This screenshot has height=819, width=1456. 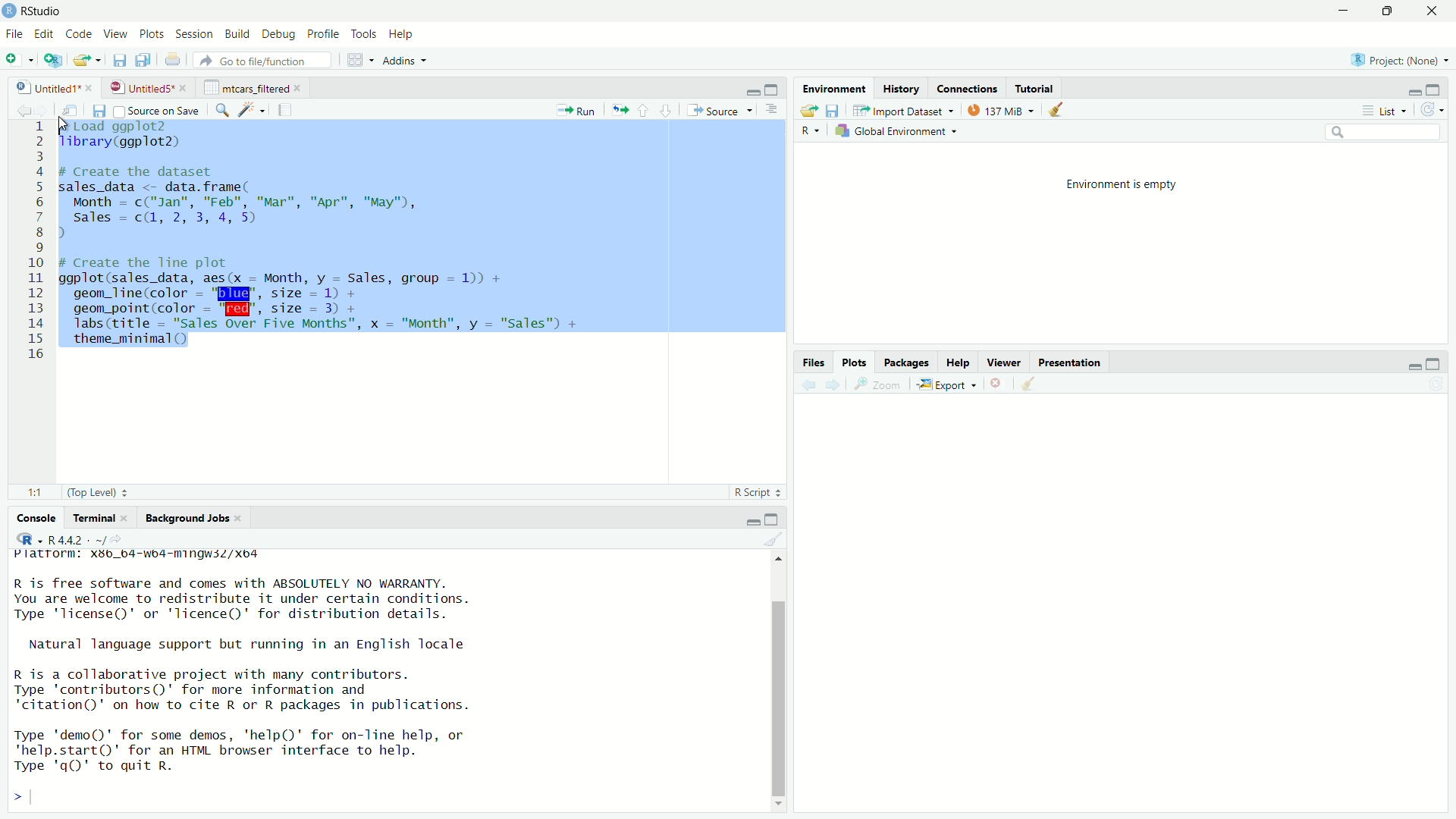 What do you see at coordinates (998, 110) in the screenshot?
I see `137MB` at bounding box center [998, 110].